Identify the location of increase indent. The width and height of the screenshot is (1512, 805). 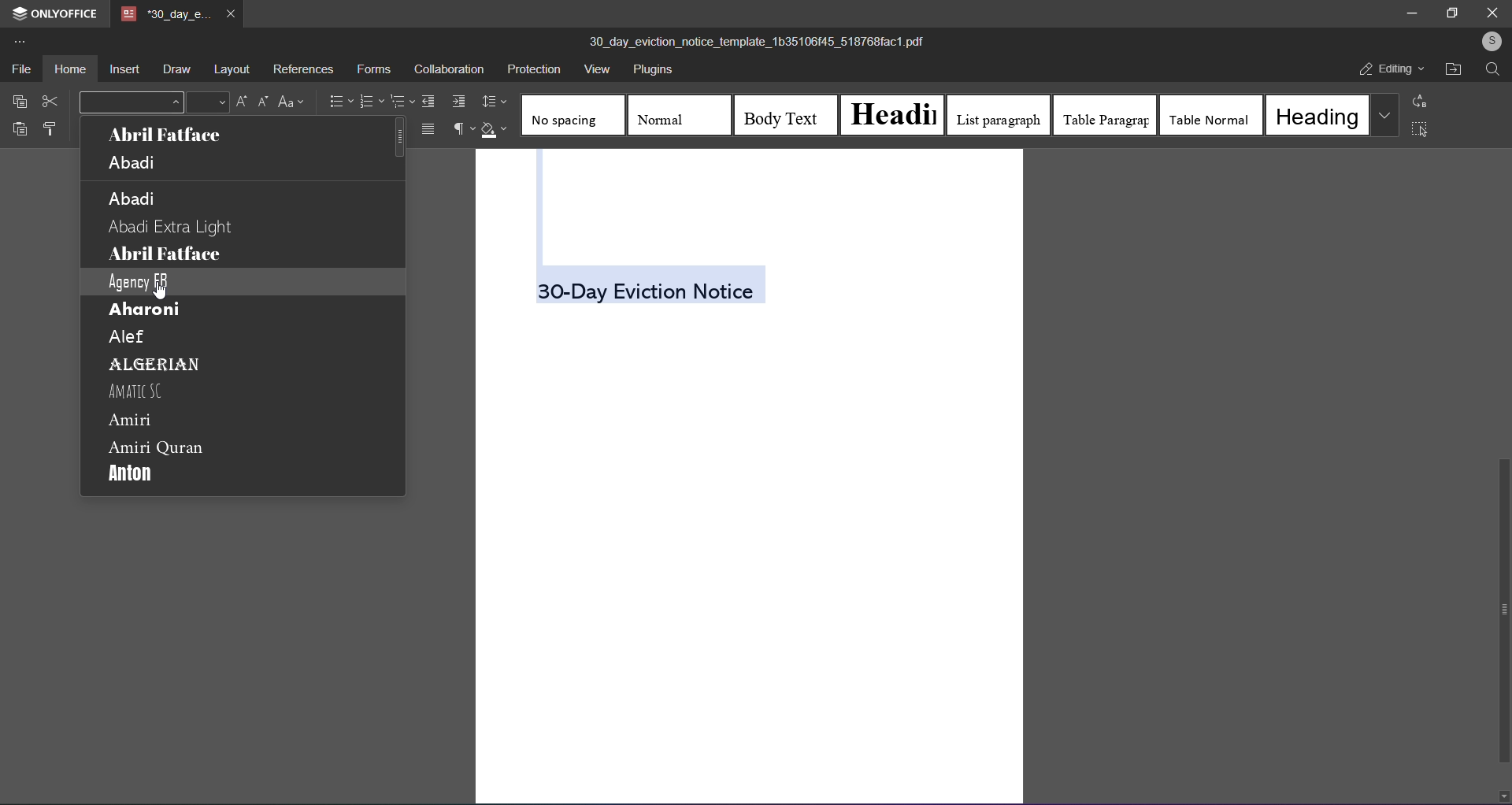
(458, 101).